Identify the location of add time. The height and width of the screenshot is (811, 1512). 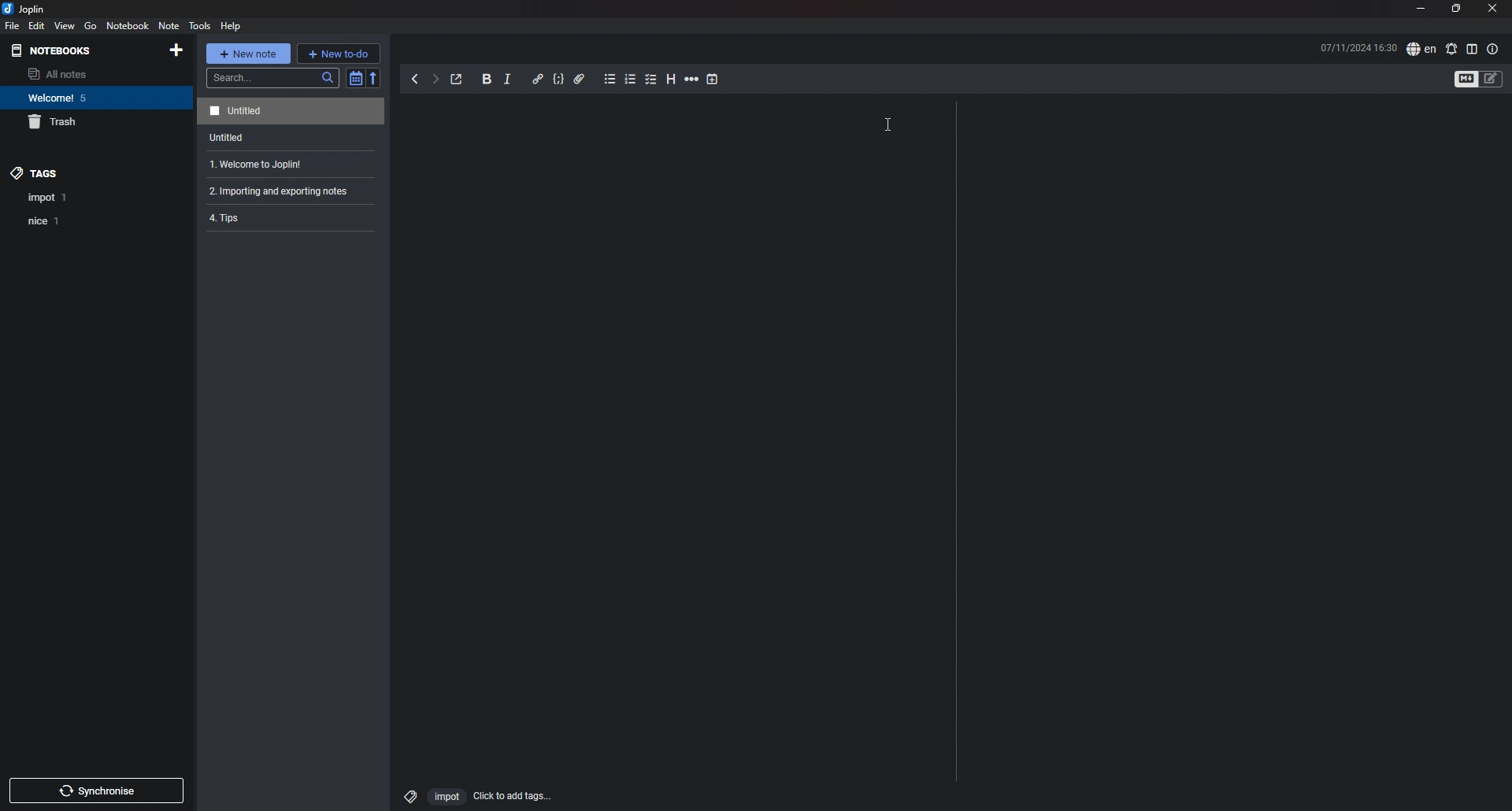
(713, 79).